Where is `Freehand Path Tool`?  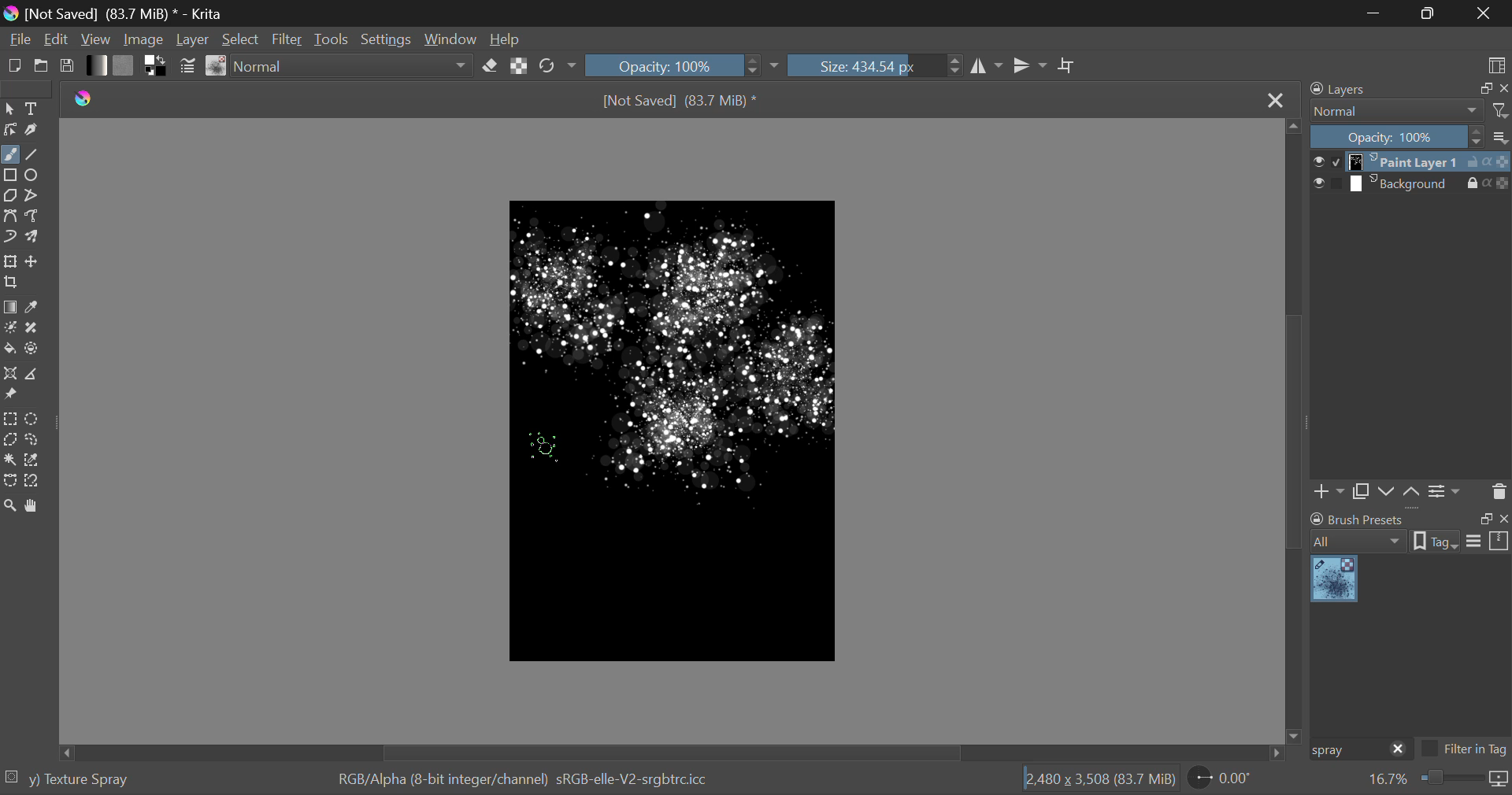 Freehand Path Tool is located at coordinates (33, 216).